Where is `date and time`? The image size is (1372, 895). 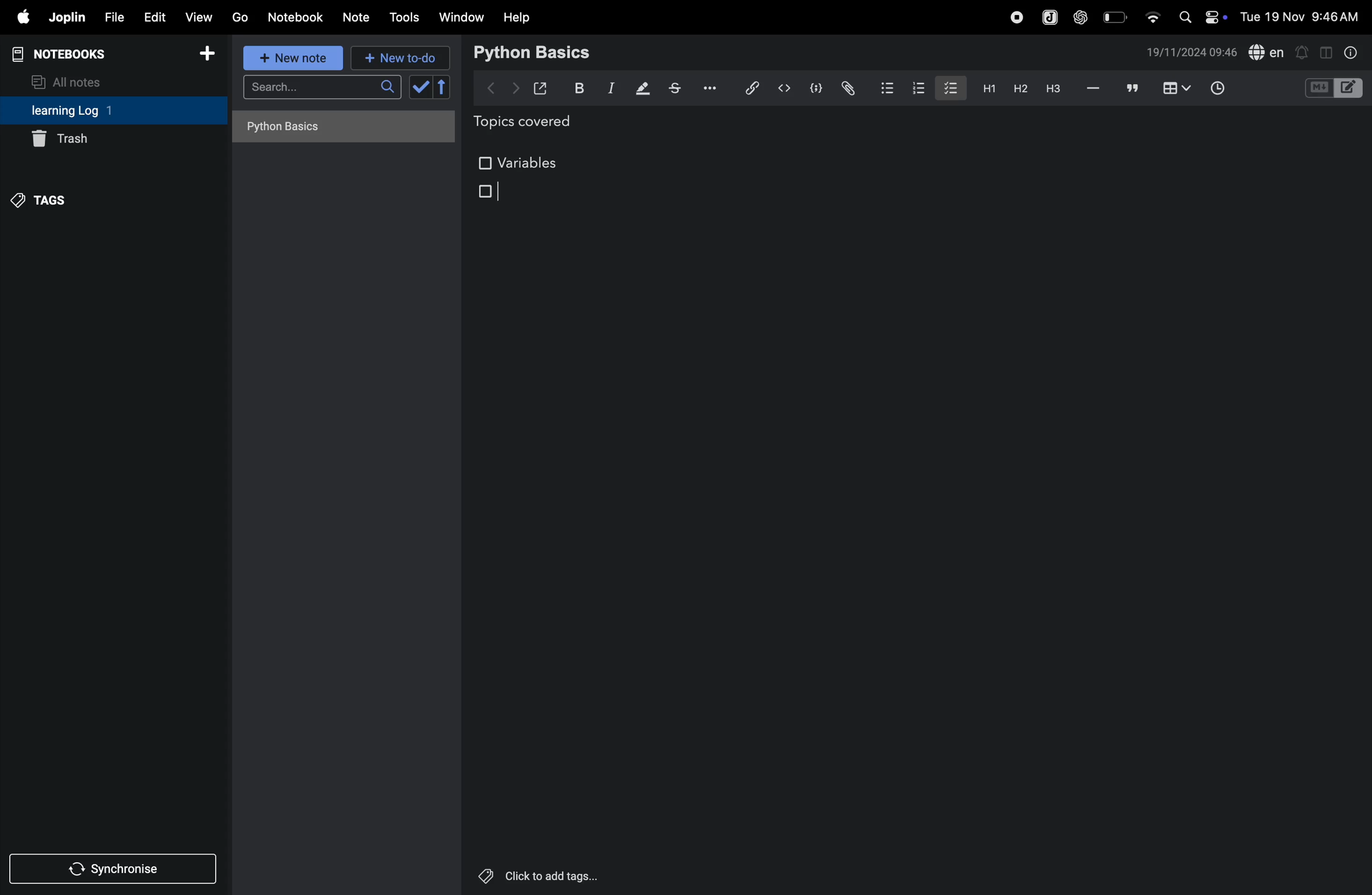
date and time is located at coordinates (1303, 16).